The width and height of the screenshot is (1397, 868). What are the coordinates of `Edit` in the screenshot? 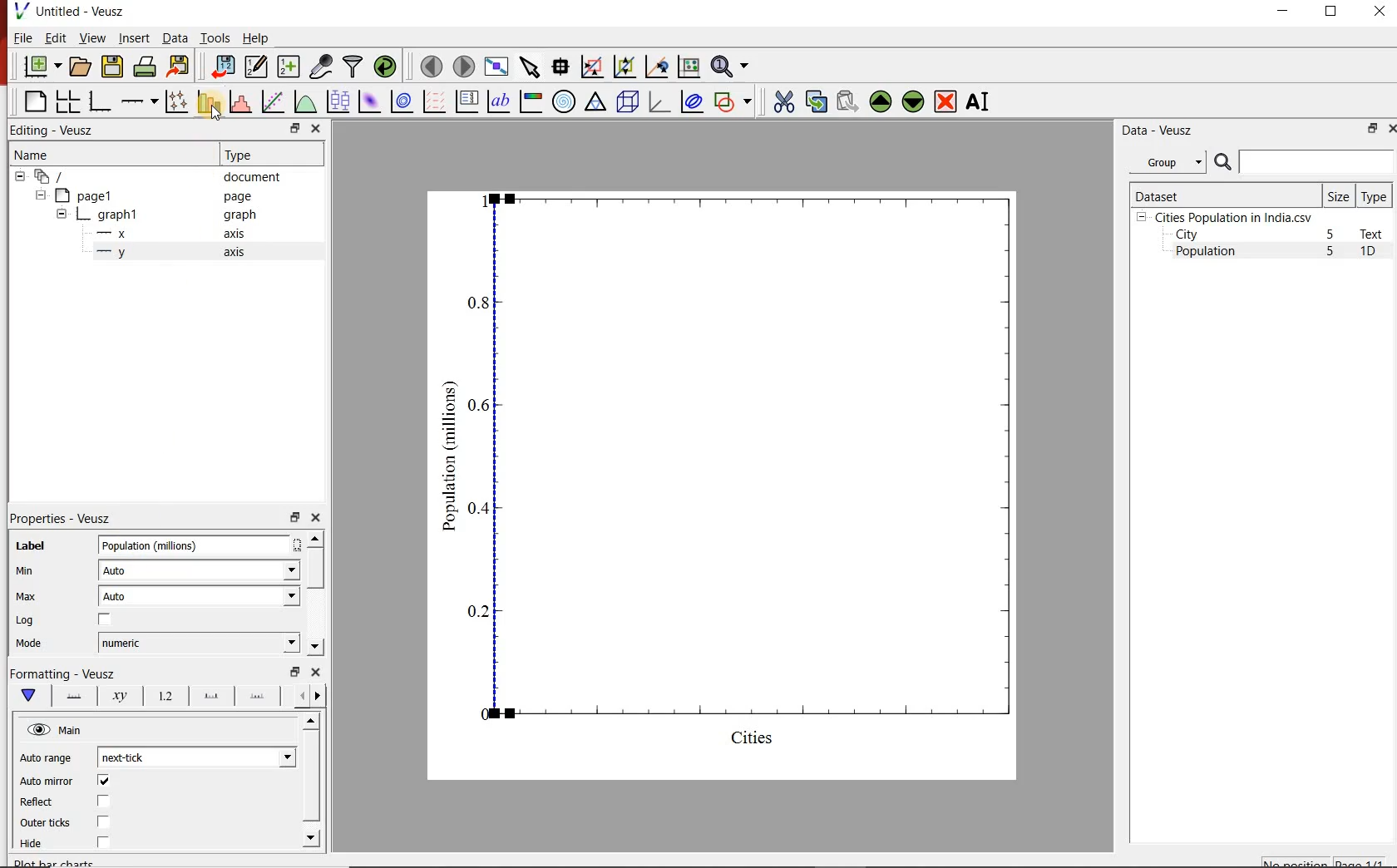 It's located at (54, 38).